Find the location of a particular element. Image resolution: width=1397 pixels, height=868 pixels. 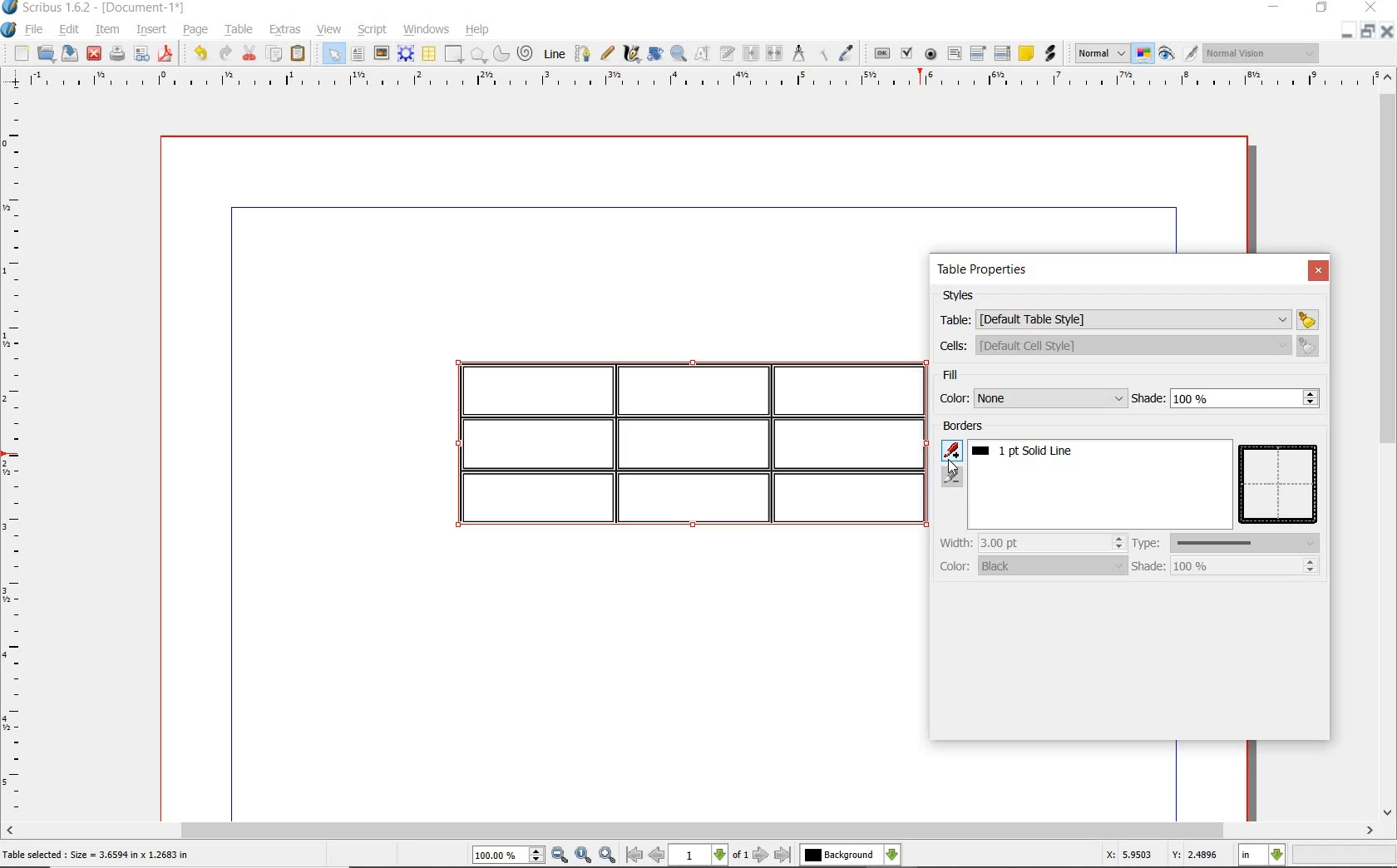

measurements is located at coordinates (799, 52).